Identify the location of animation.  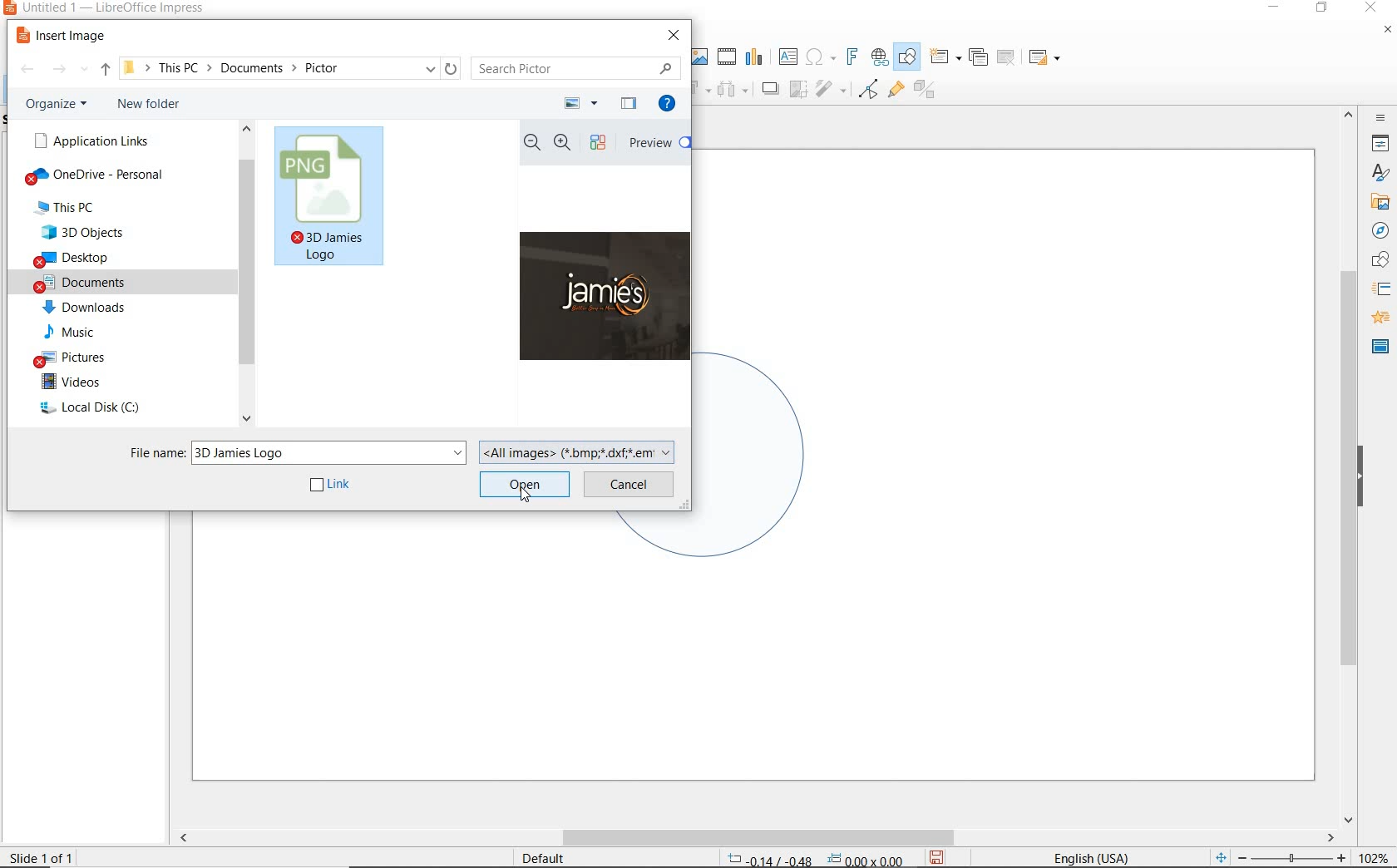
(1378, 318).